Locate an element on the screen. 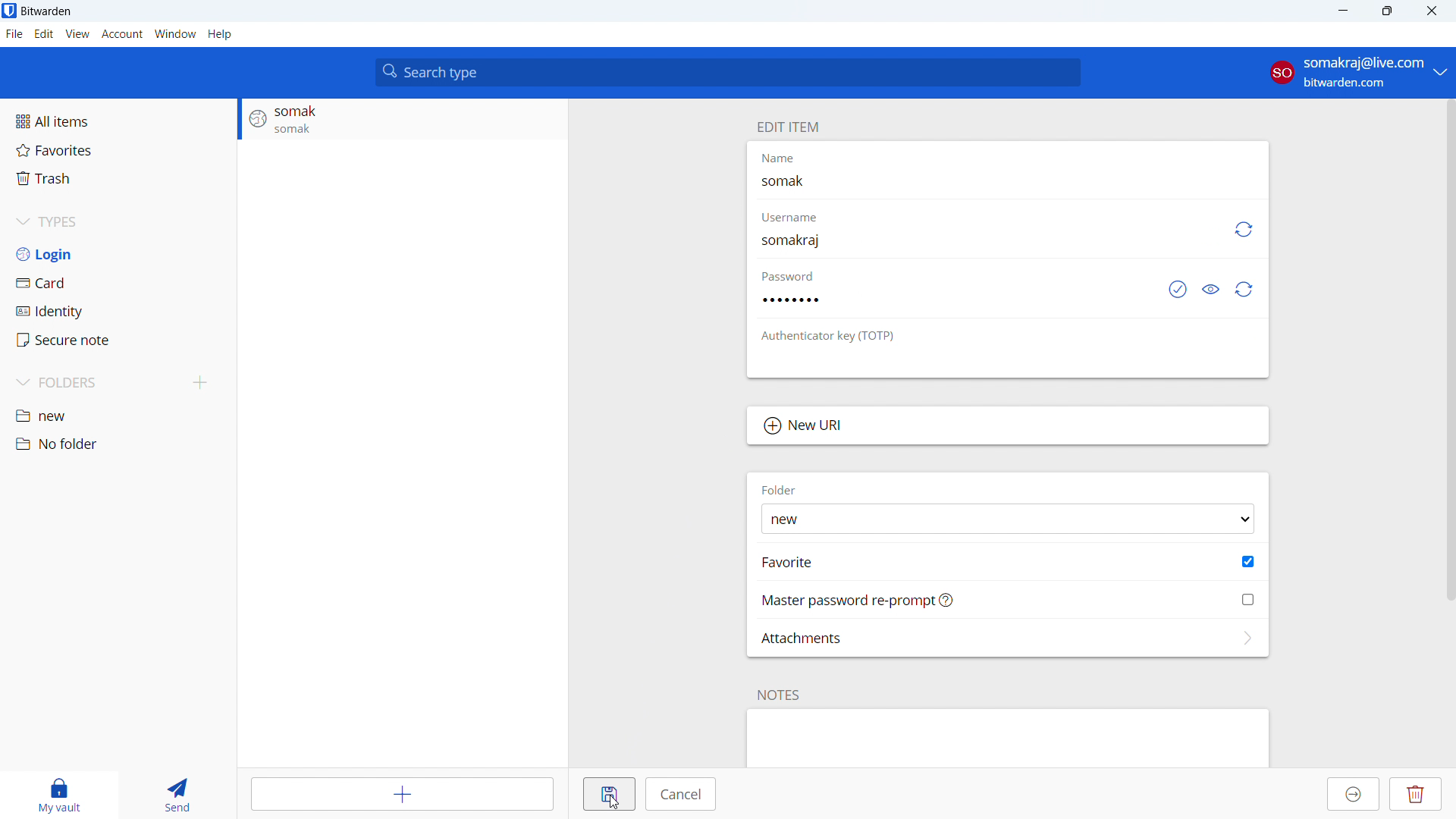  add attachments is located at coordinates (1008, 638).